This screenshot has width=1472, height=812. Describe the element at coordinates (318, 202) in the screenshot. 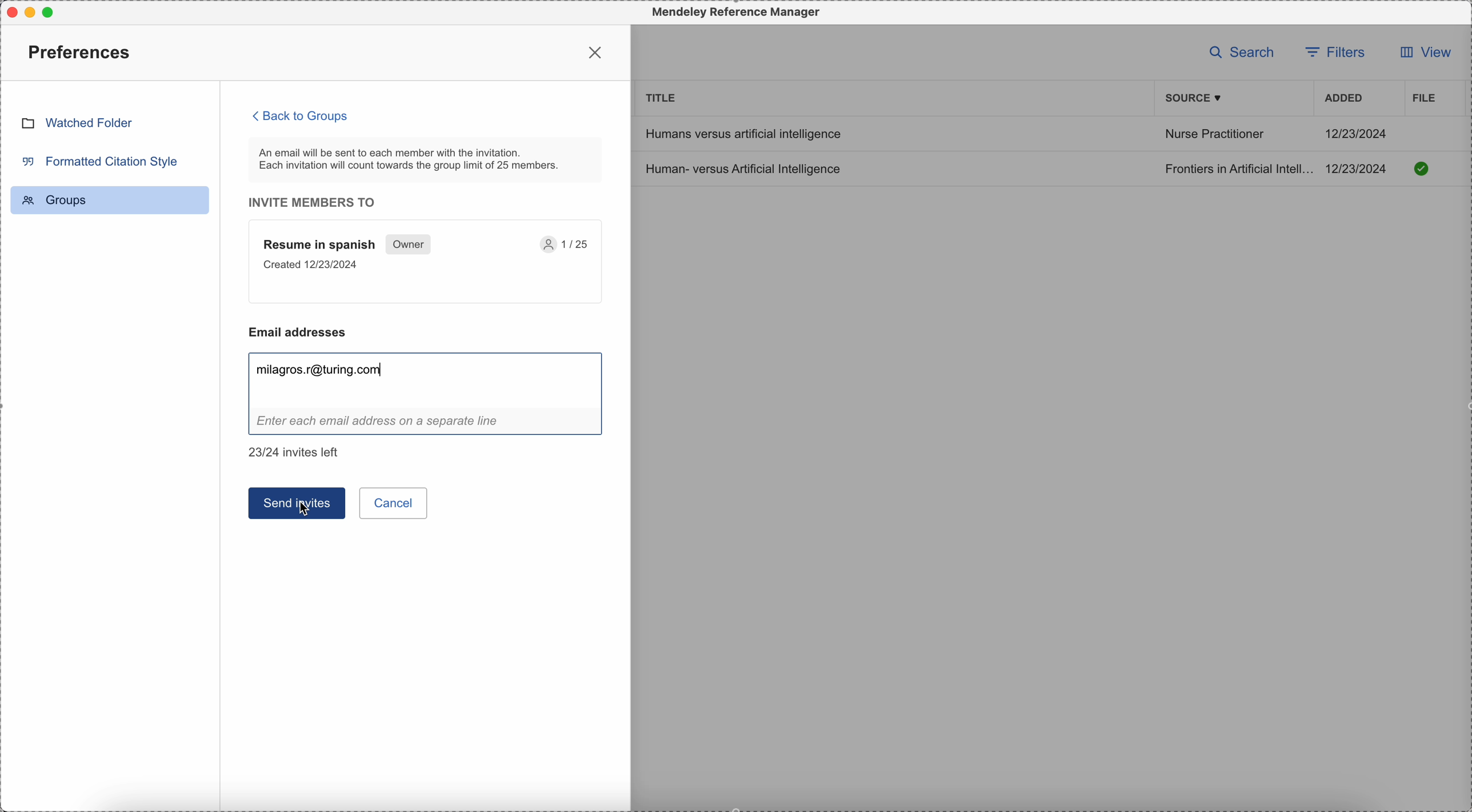

I see `invite members to` at that location.